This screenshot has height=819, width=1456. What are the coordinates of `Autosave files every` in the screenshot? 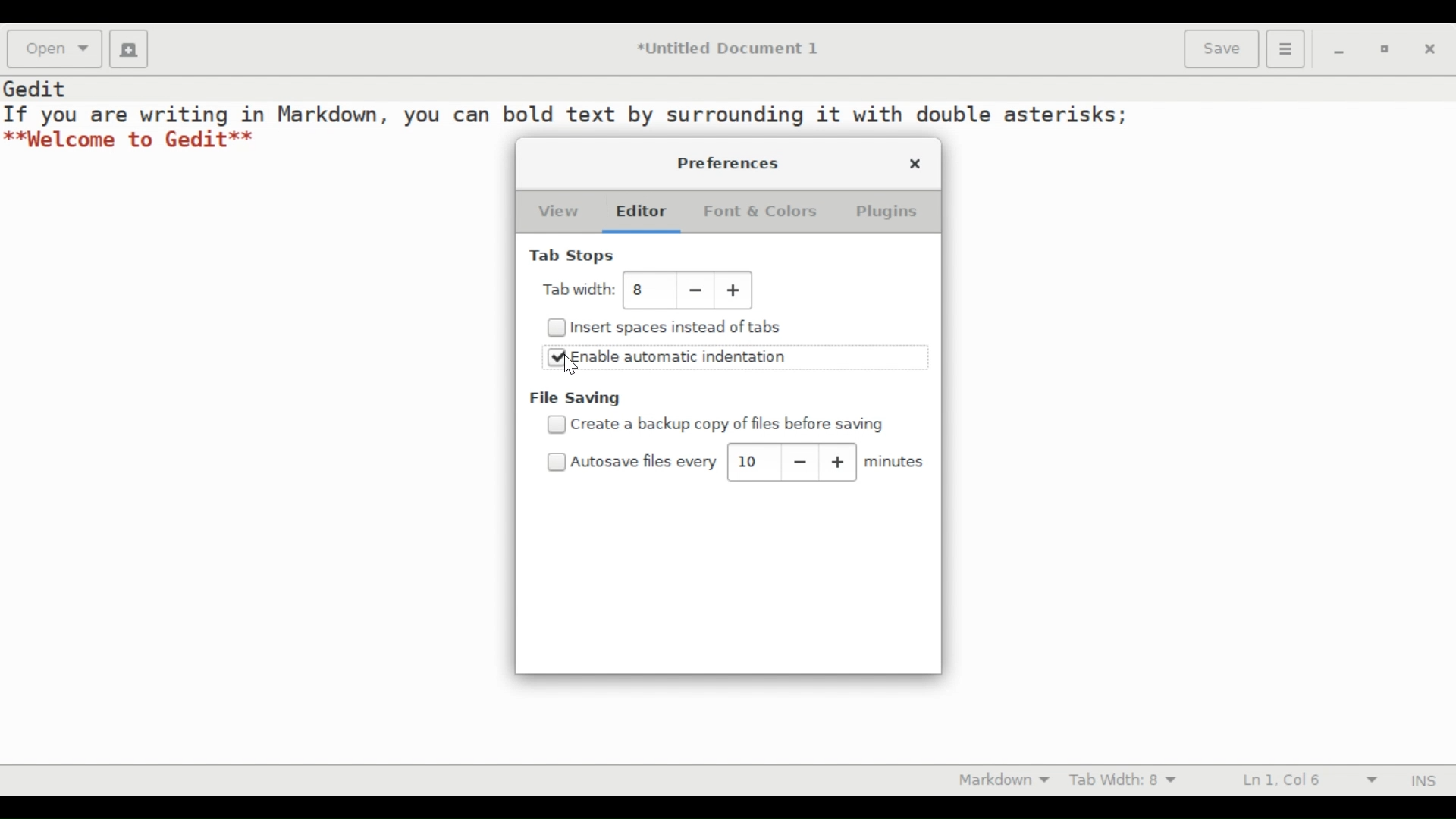 It's located at (645, 462).